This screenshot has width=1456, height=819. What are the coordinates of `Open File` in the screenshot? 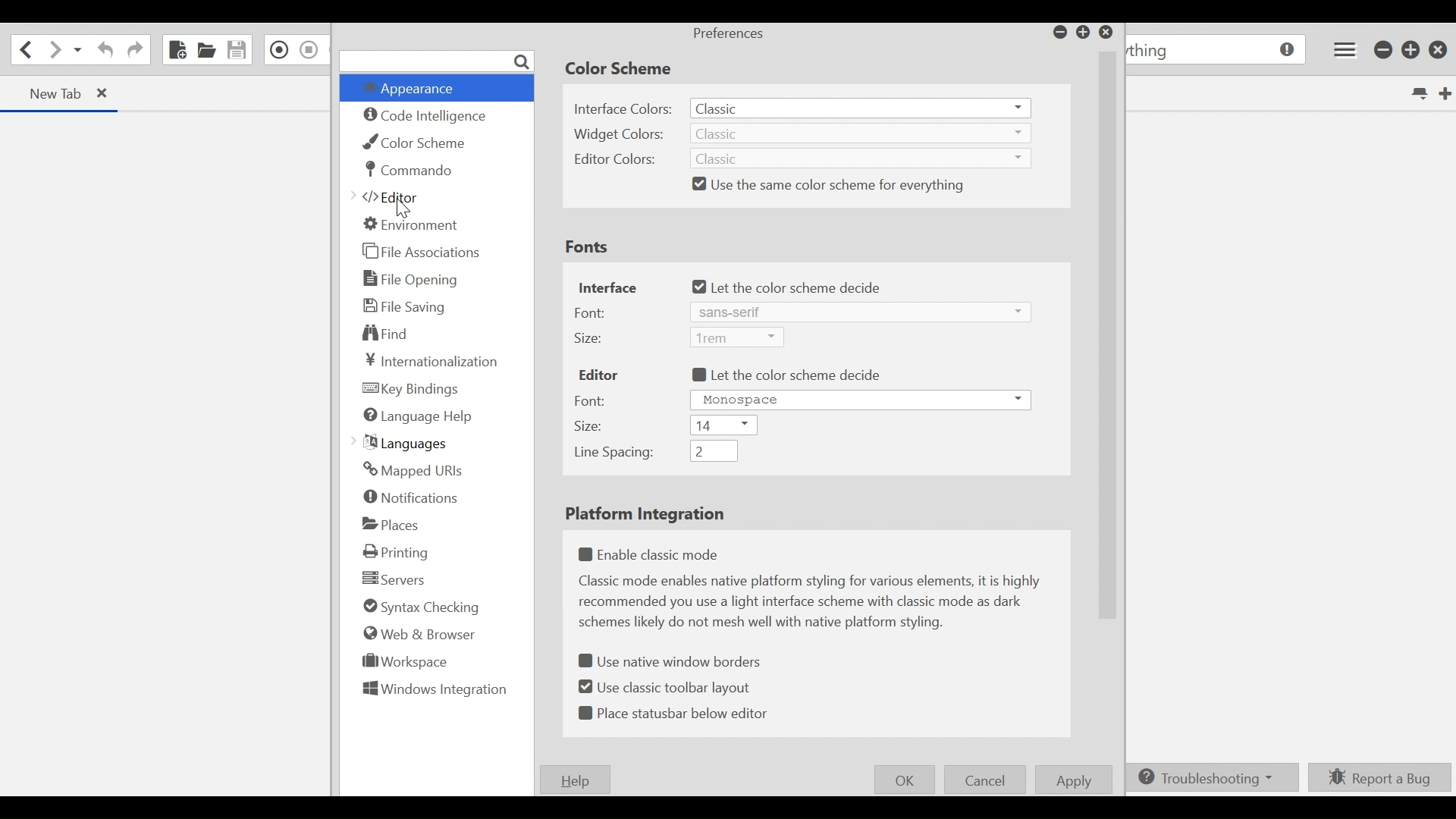 It's located at (206, 50).